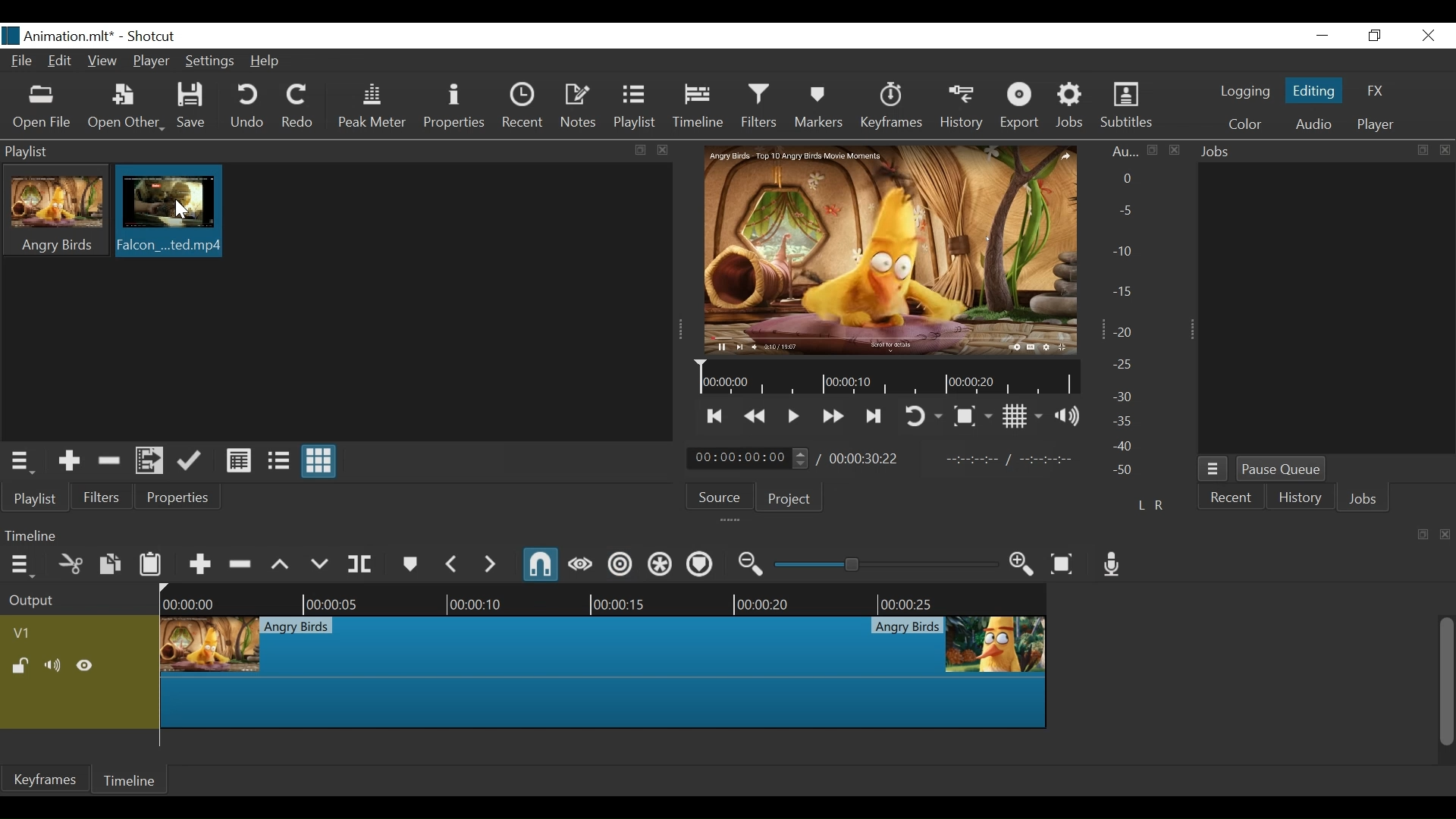 This screenshot has height=819, width=1456. What do you see at coordinates (1281, 470) in the screenshot?
I see `Pause Queue` at bounding box center [1281, 470].